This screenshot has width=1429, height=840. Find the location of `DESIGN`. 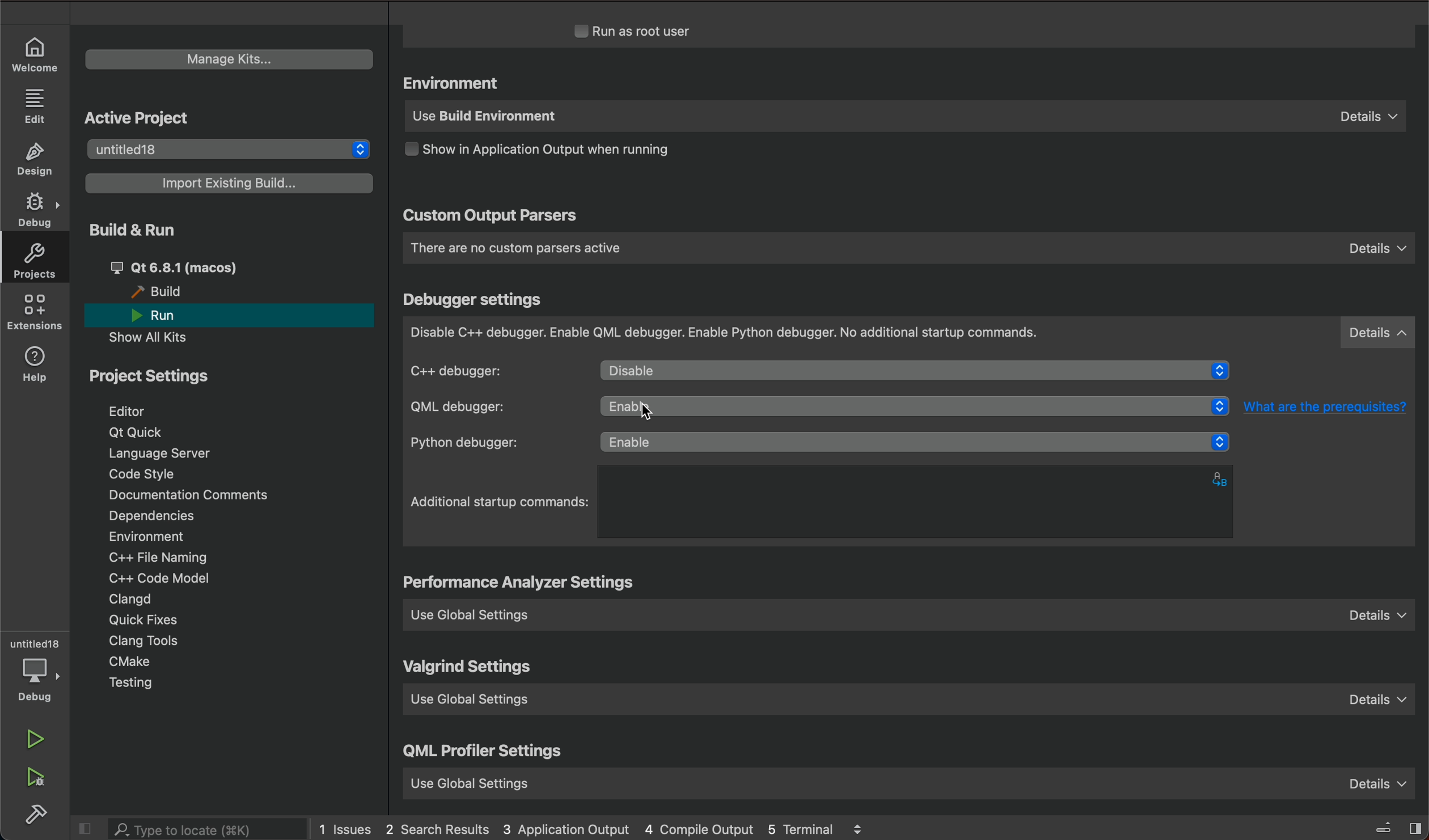

DESIGN is located at coordinates (39, 160).